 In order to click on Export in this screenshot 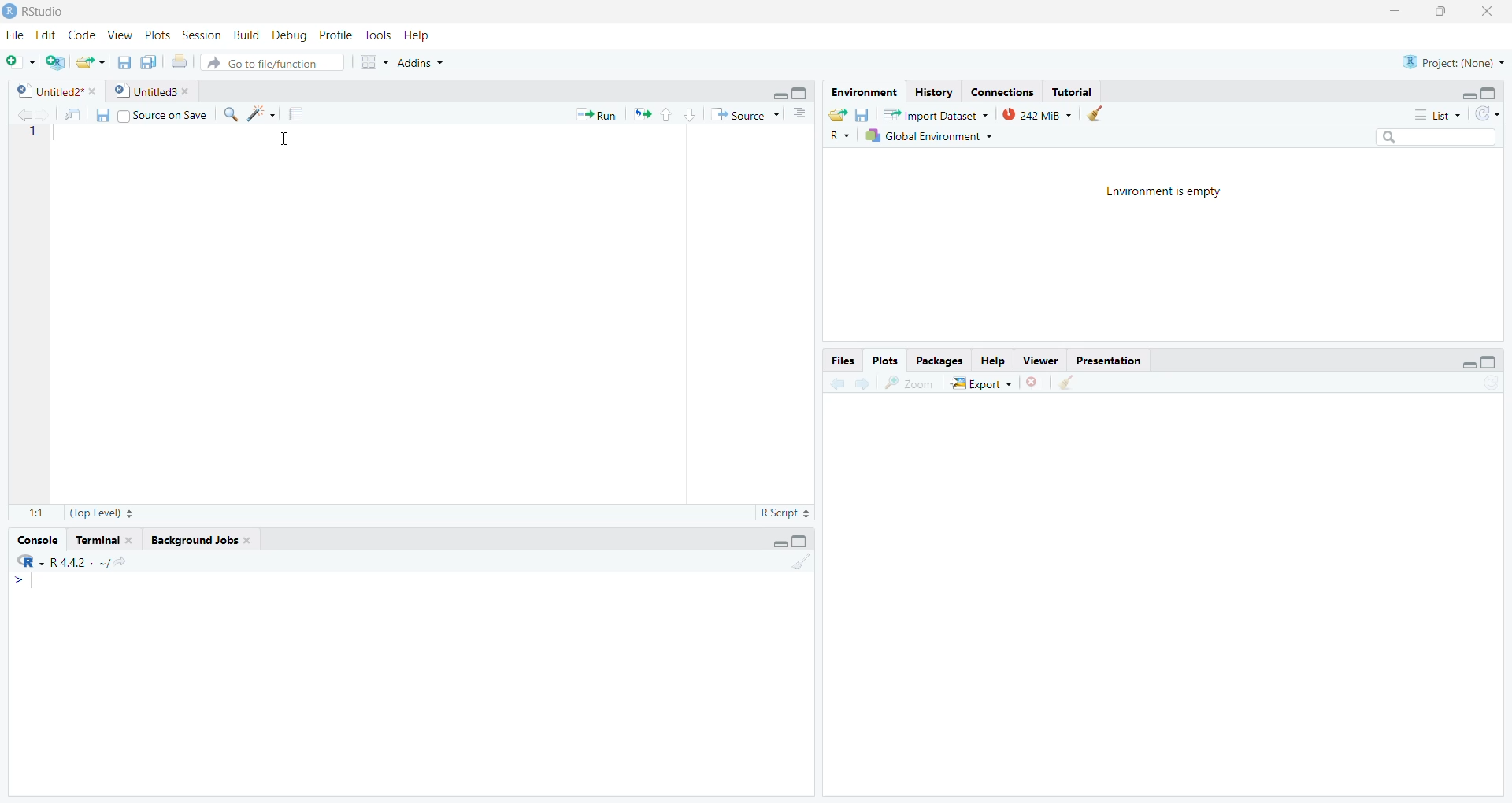, I will do `click(980, 383)`.